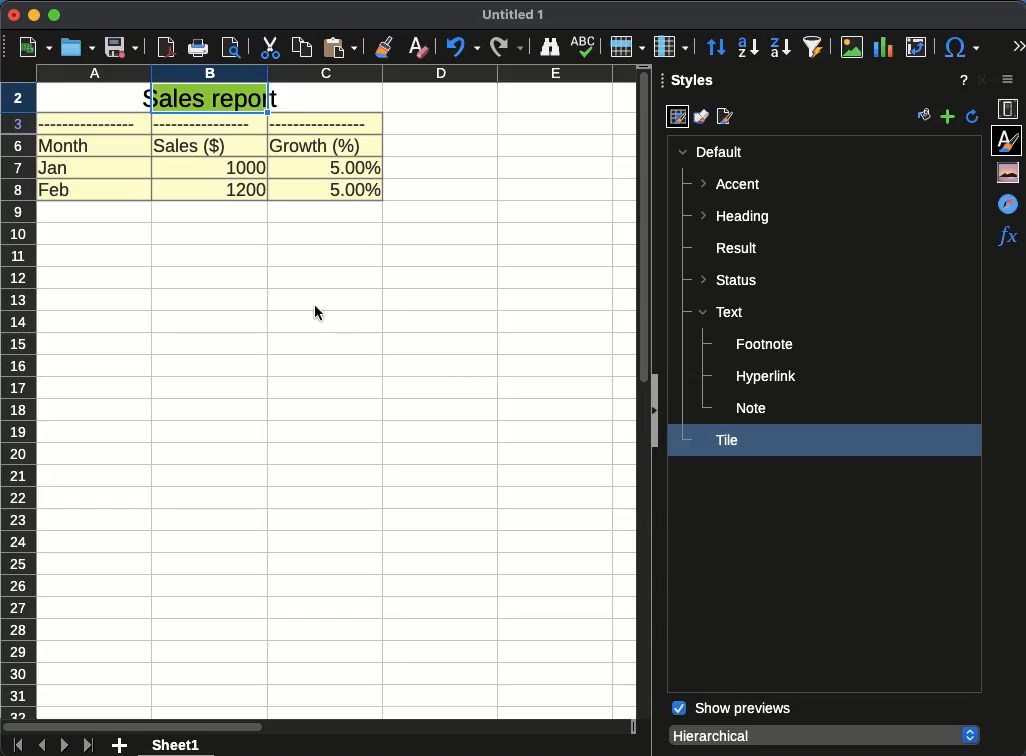 Image resolution: width=1026 pixels, height=756 pixels. What do you see at coordinates (701, 119) in the screenshot?
I see `drawing styles` at bounding box center [701, 119].